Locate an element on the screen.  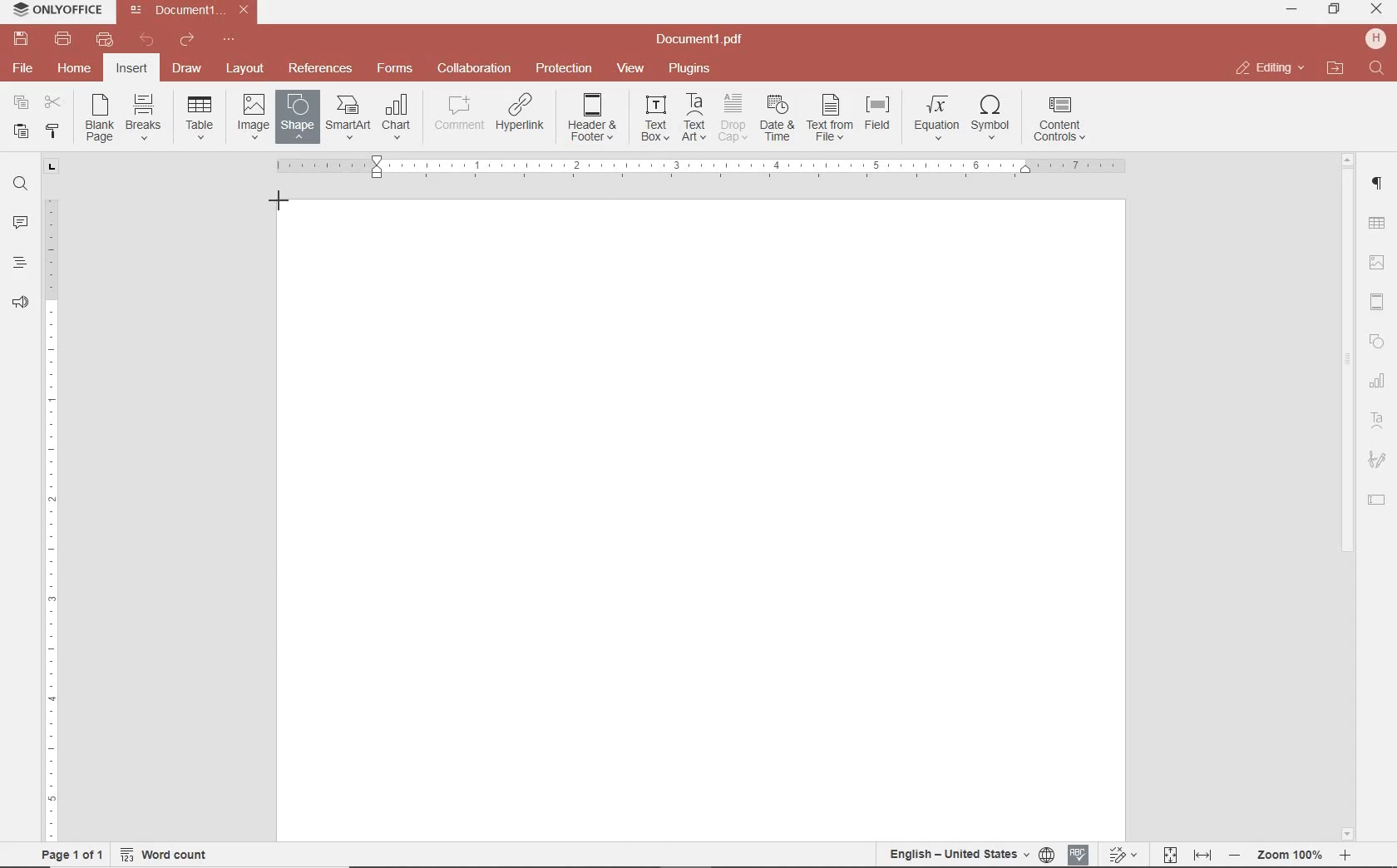
EDIT HEADER OR FOOTER is located at coordinates (594, 118).